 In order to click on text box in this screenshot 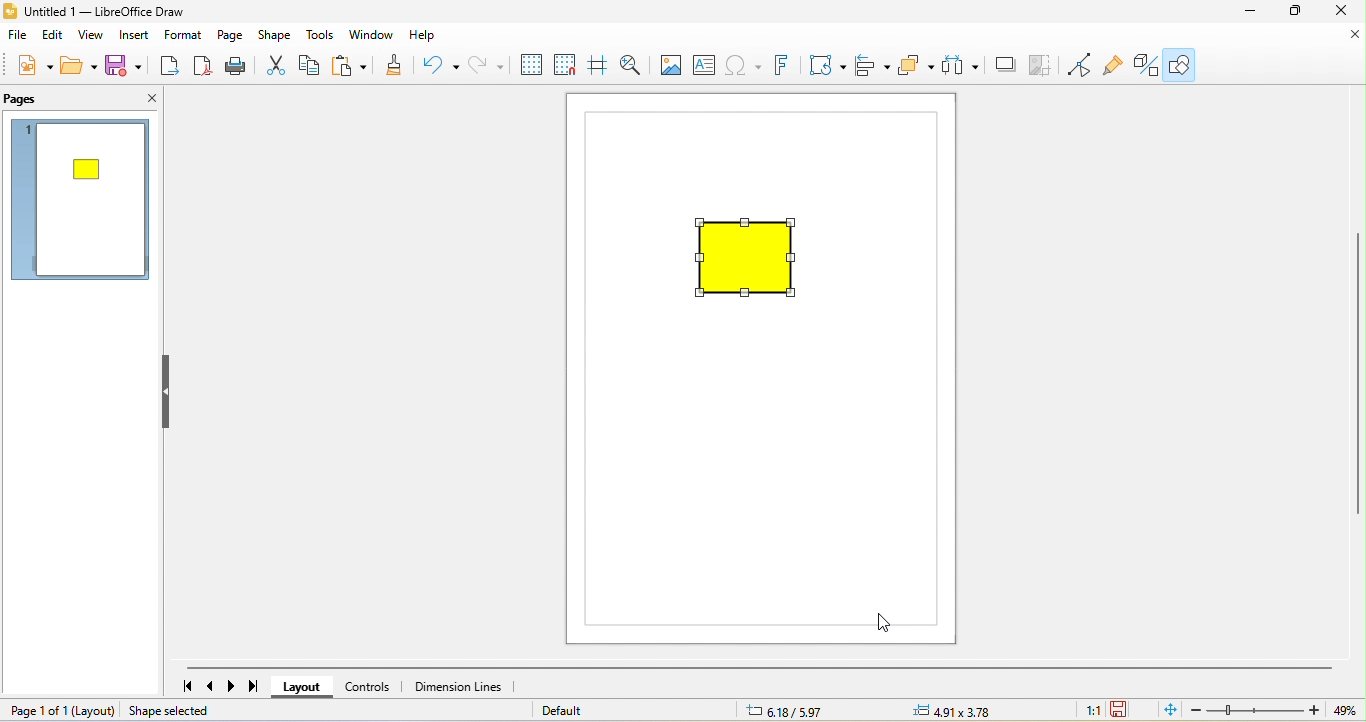, I will do `click(707, 65)`.